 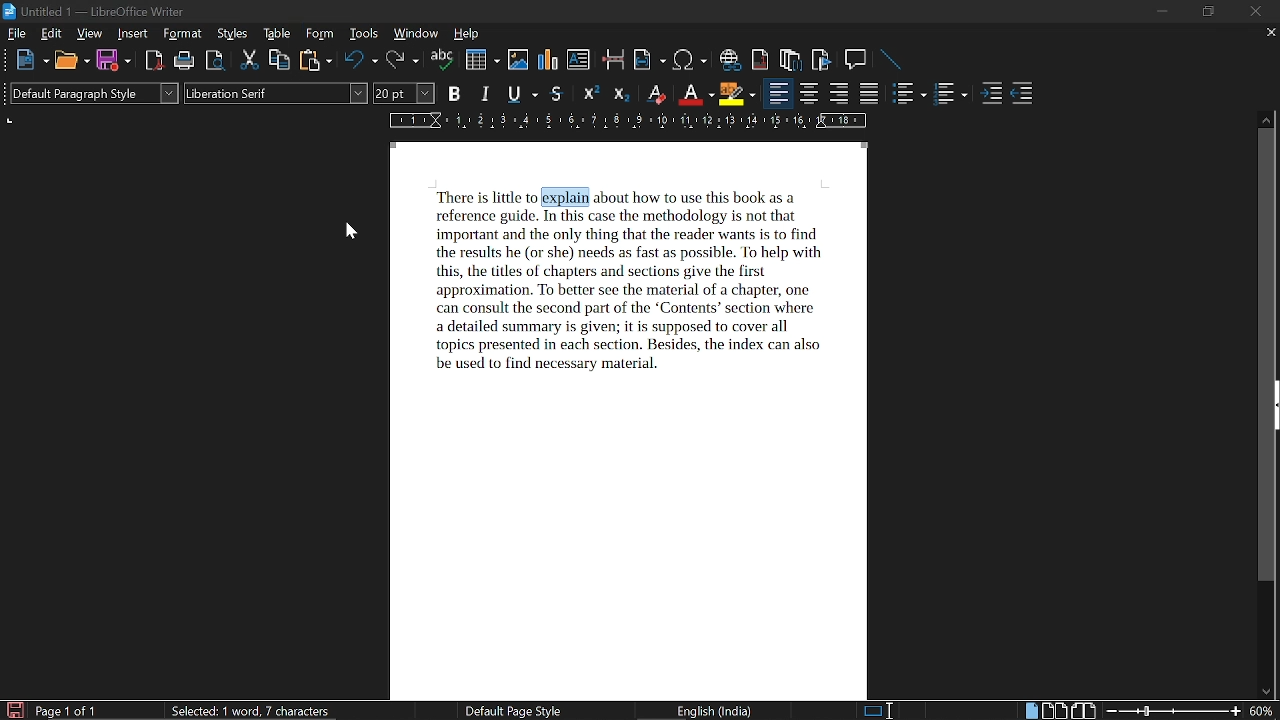 I want to click on insert comment, so click(x=856, y=59).